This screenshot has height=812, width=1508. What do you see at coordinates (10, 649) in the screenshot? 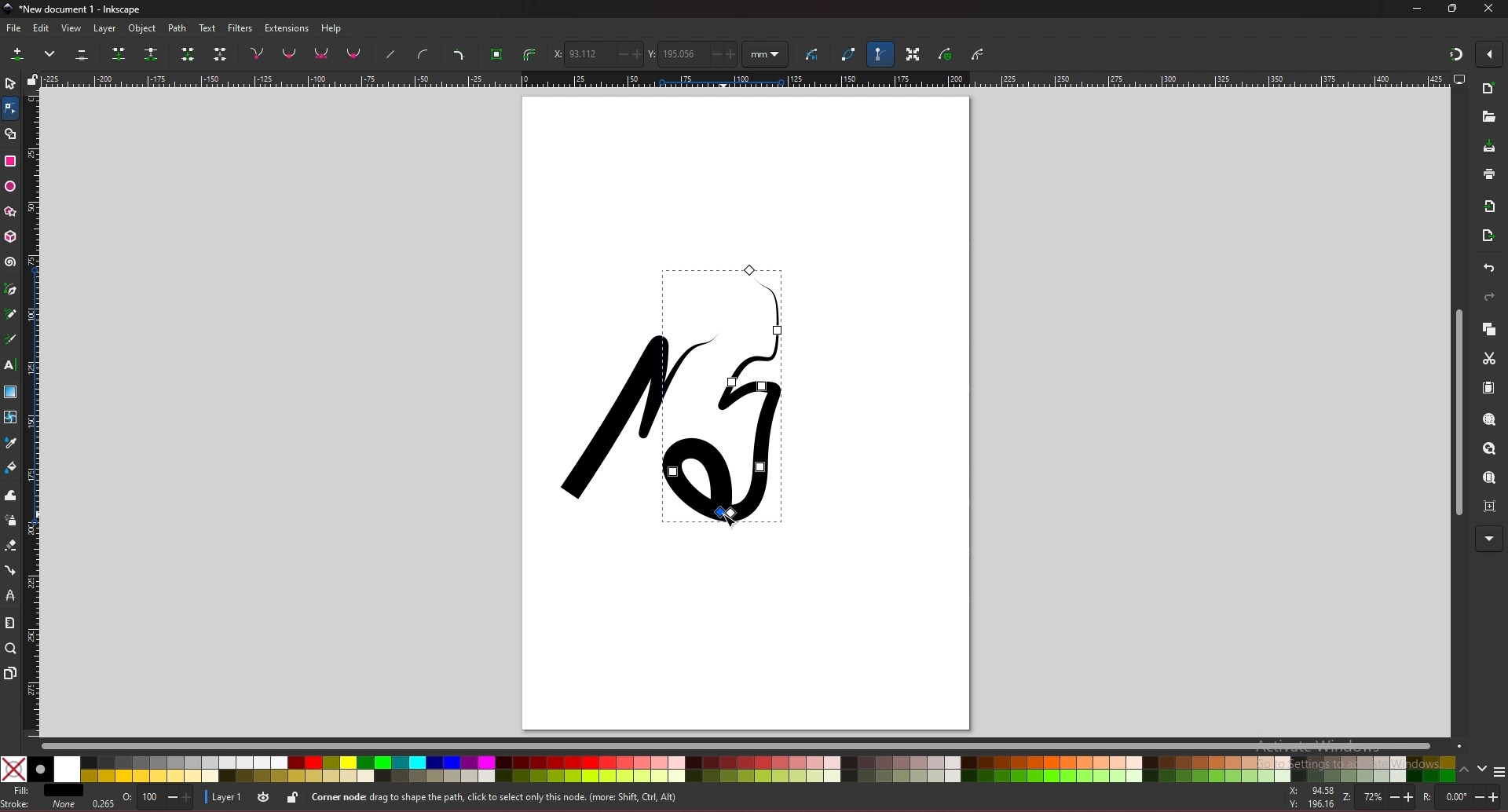
I see `zoom` at bounding box center [10, 649].